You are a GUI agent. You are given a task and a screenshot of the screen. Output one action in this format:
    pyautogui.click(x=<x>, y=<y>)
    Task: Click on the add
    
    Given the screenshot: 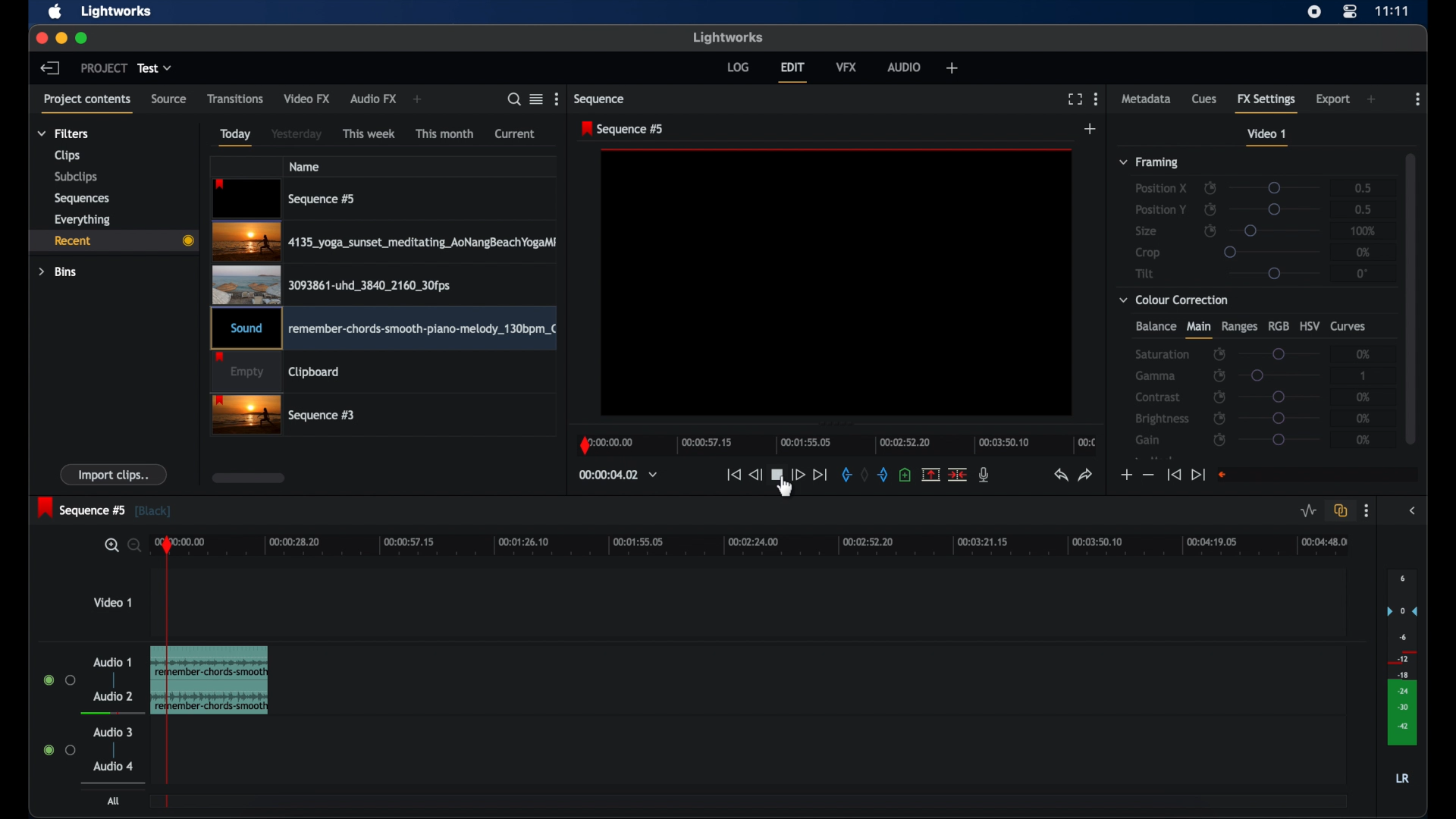 What is the action you would take?
    pyautogui.click(x=1091, y=128)
    